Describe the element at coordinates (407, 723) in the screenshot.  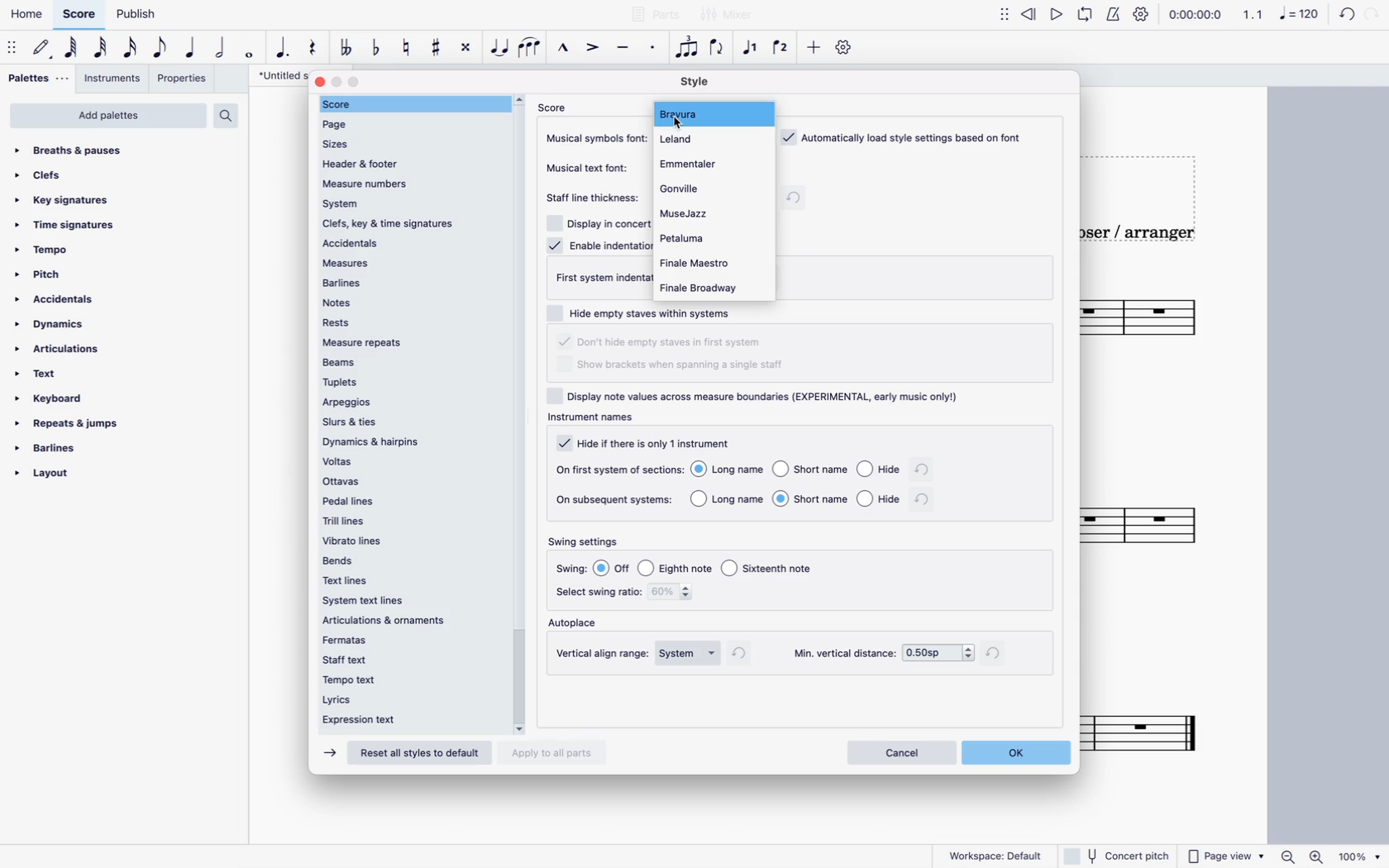
I see `expression text` at that location.